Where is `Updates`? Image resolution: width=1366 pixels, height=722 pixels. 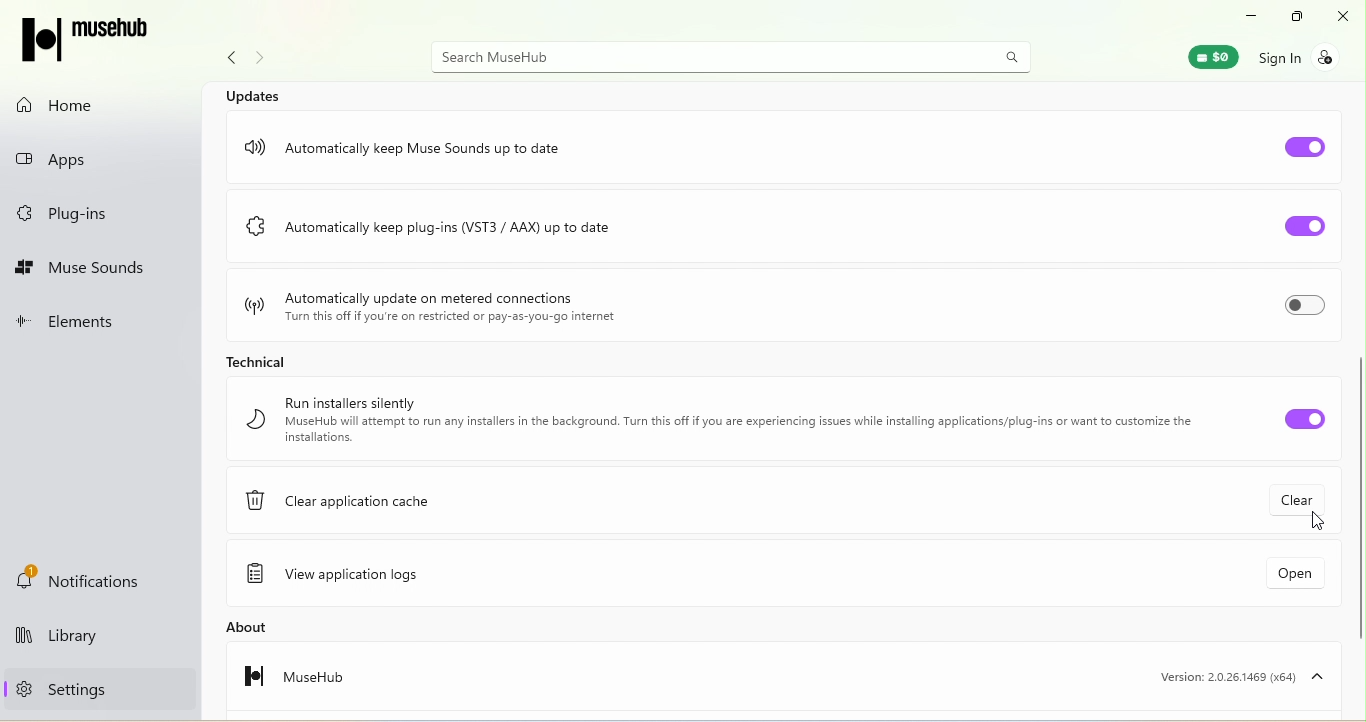
Updates is located at coordinates (257, 94).